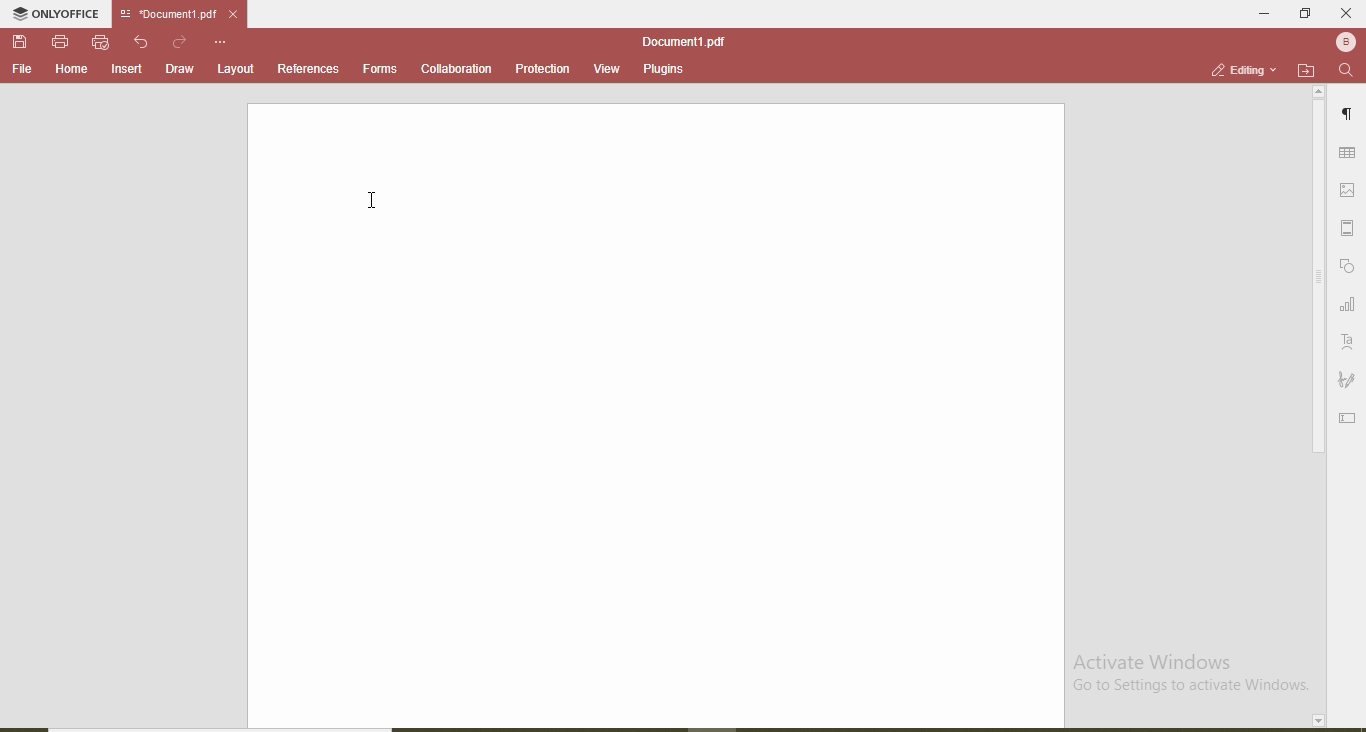 This screenshot has height=732, width=1366. What do you see at coordinates (455, 69) in the screenshot?
I see `collaboration` at bounding box center [455, 69].